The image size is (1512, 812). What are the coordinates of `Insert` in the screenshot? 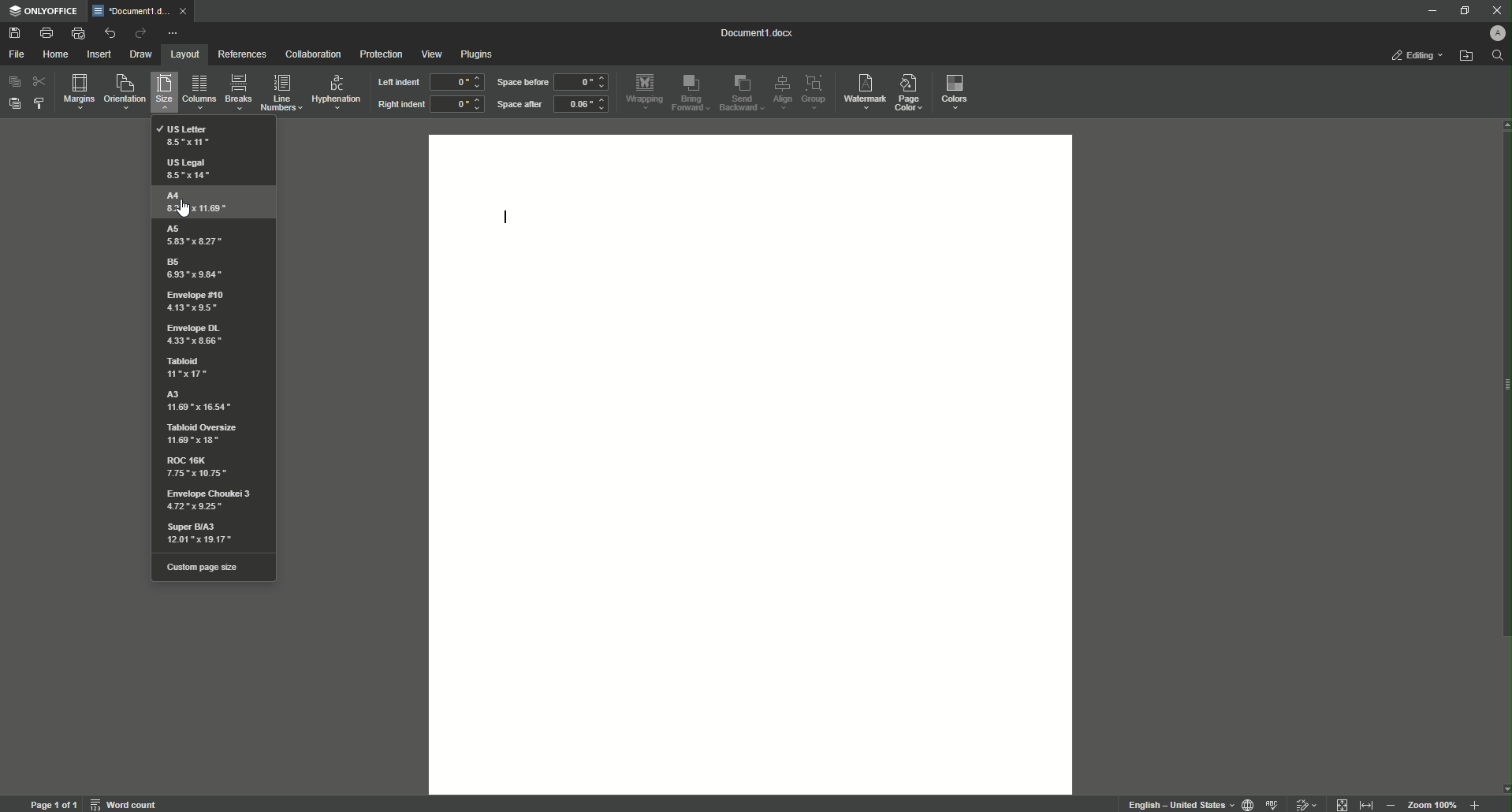 It's located at (99, 54).